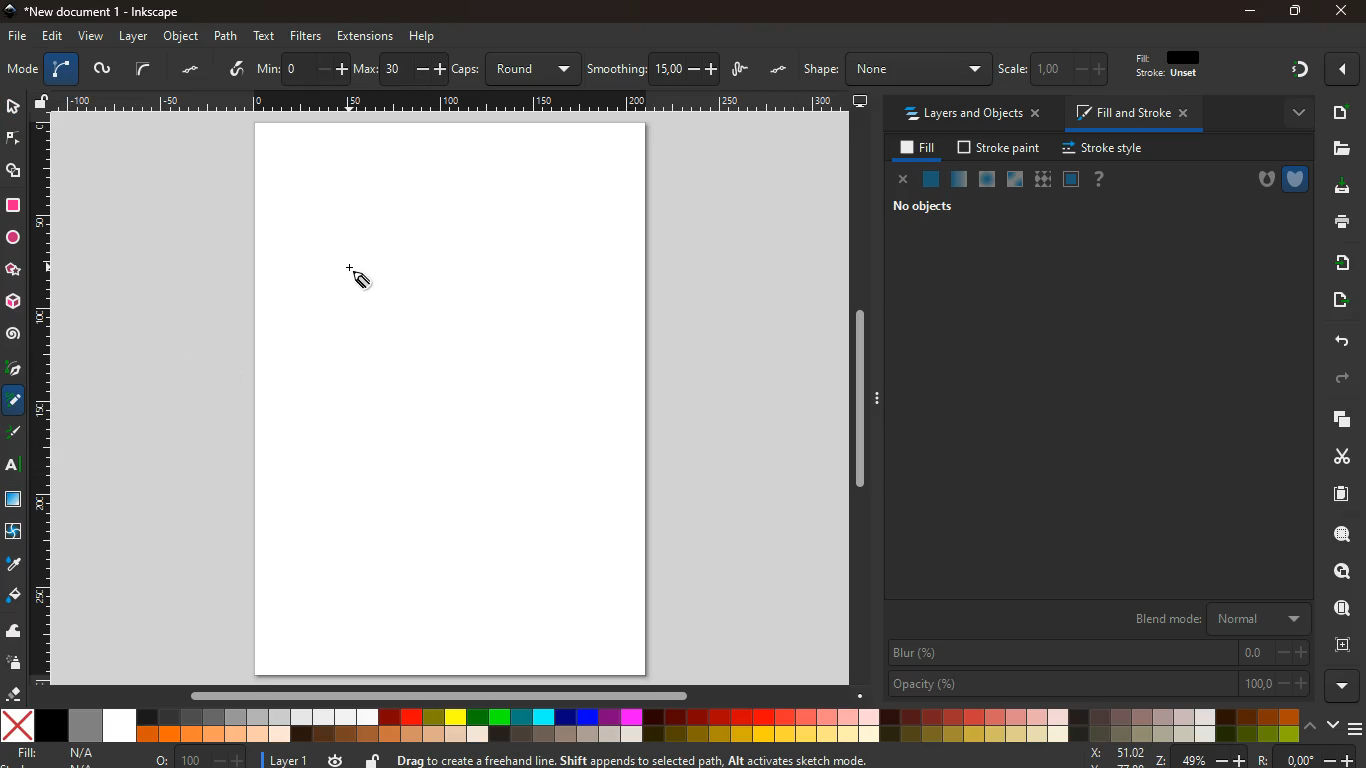  What do you see at coordinates (1223, 619) in the screenshot?
I see `blend mode` at bounding box center [1223, 619].